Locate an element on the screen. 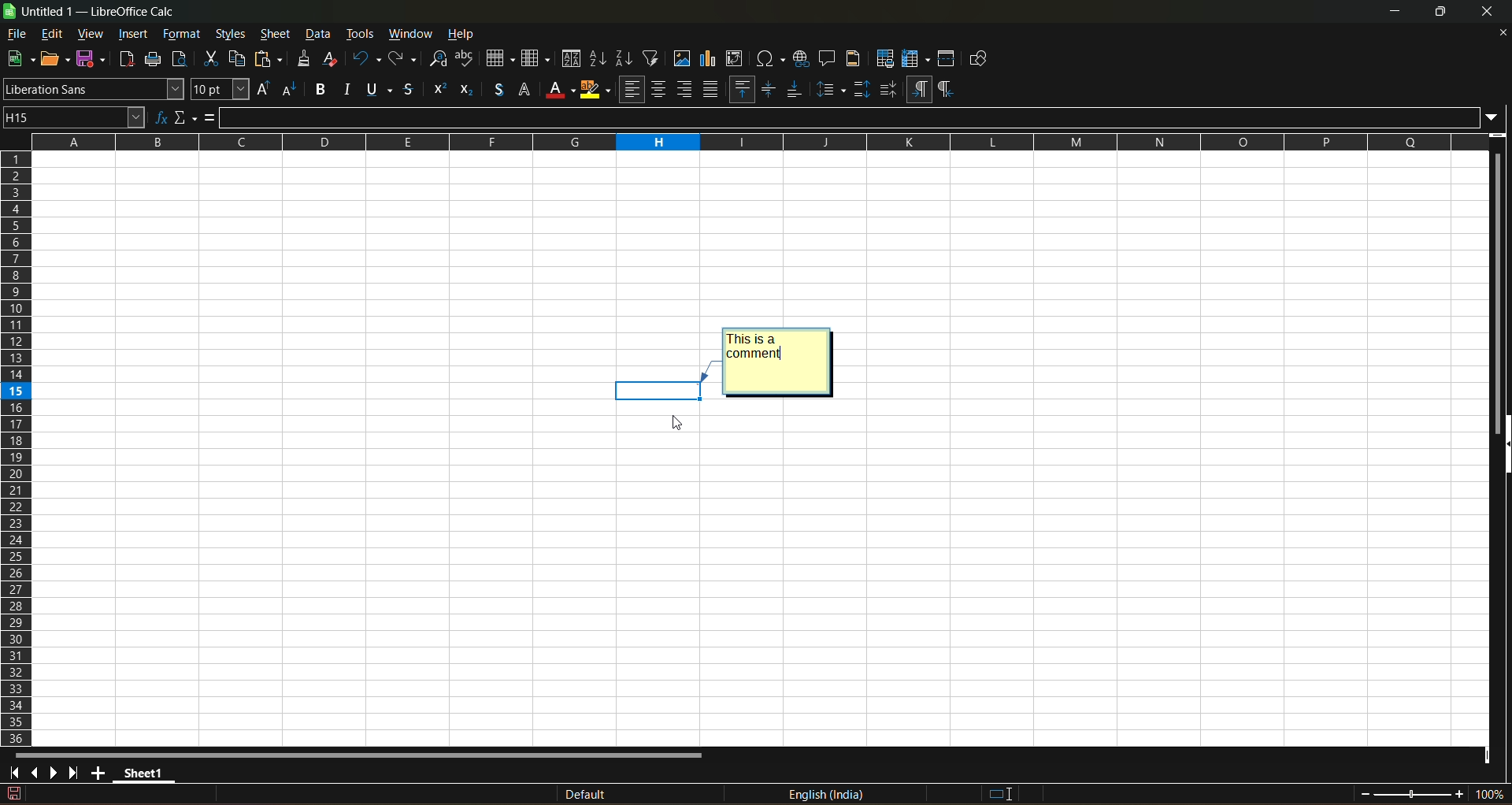 The image size is (1512, 805). merge and center or unmerge cells depending on the current toggle state is located at coordinates (640, 89).